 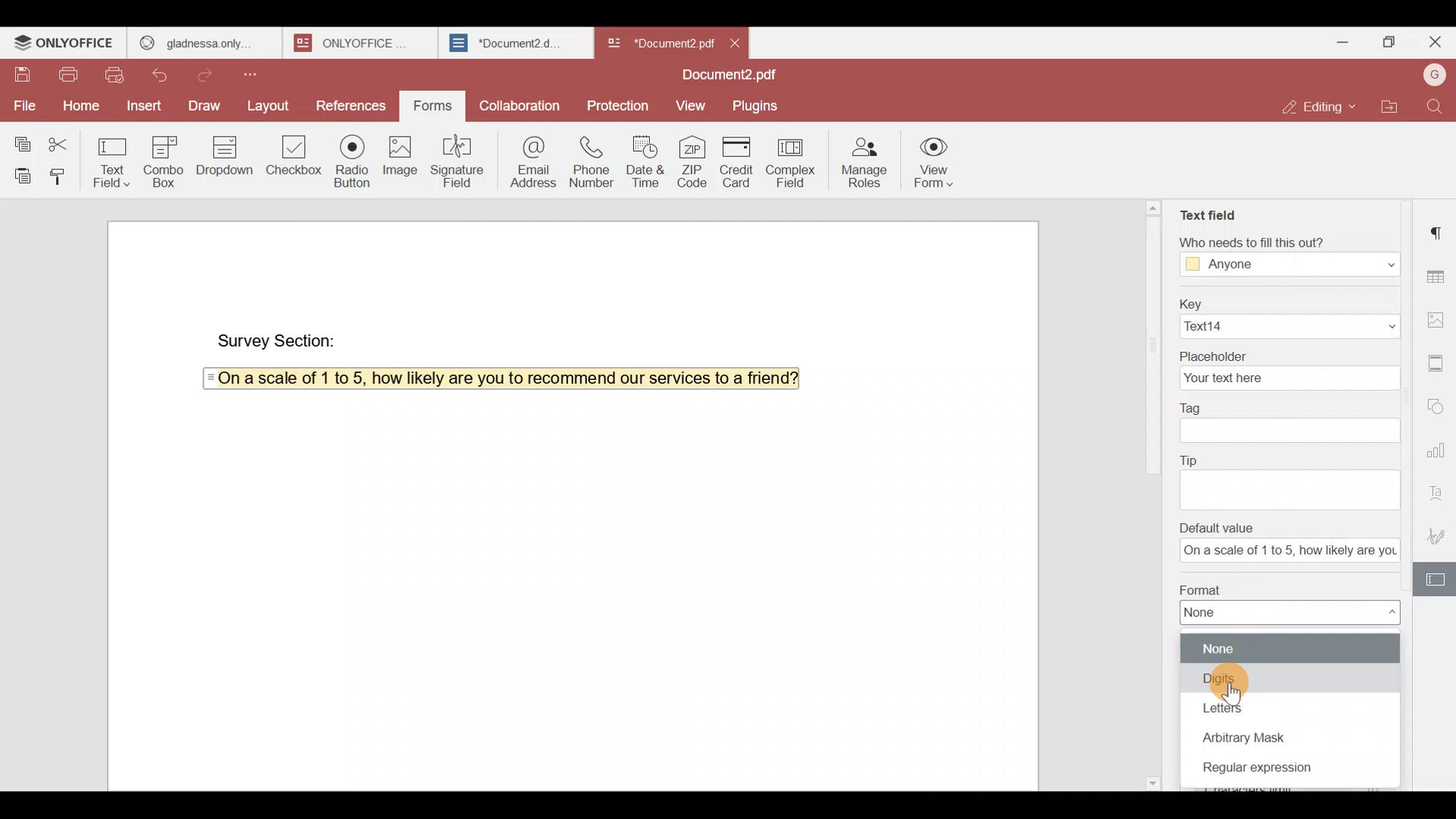 I want to click on Plugins, so click(x=756, y=105).